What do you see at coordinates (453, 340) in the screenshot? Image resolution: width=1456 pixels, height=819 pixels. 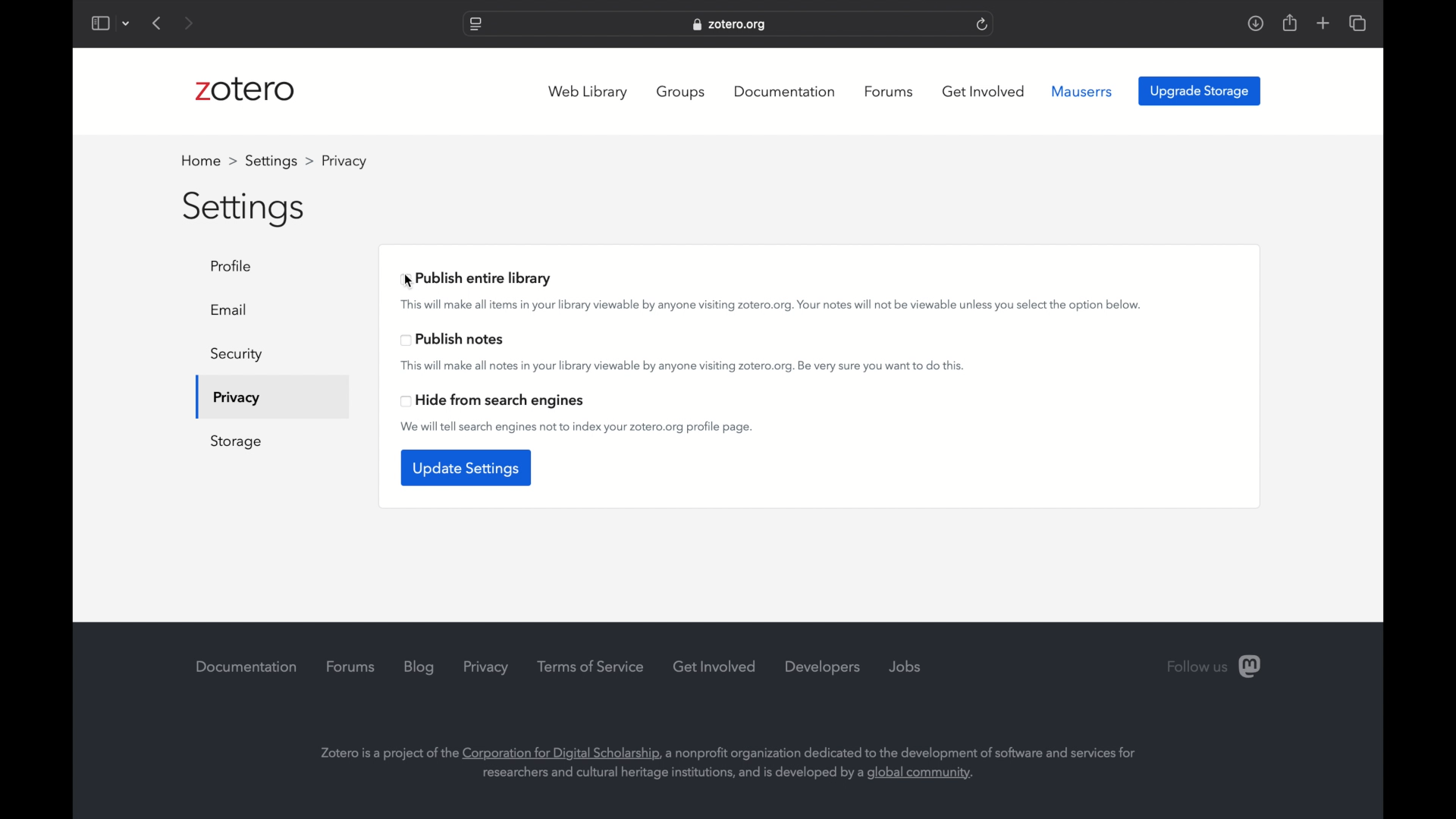 I see `publish notes` at bounding box center [453, 340].